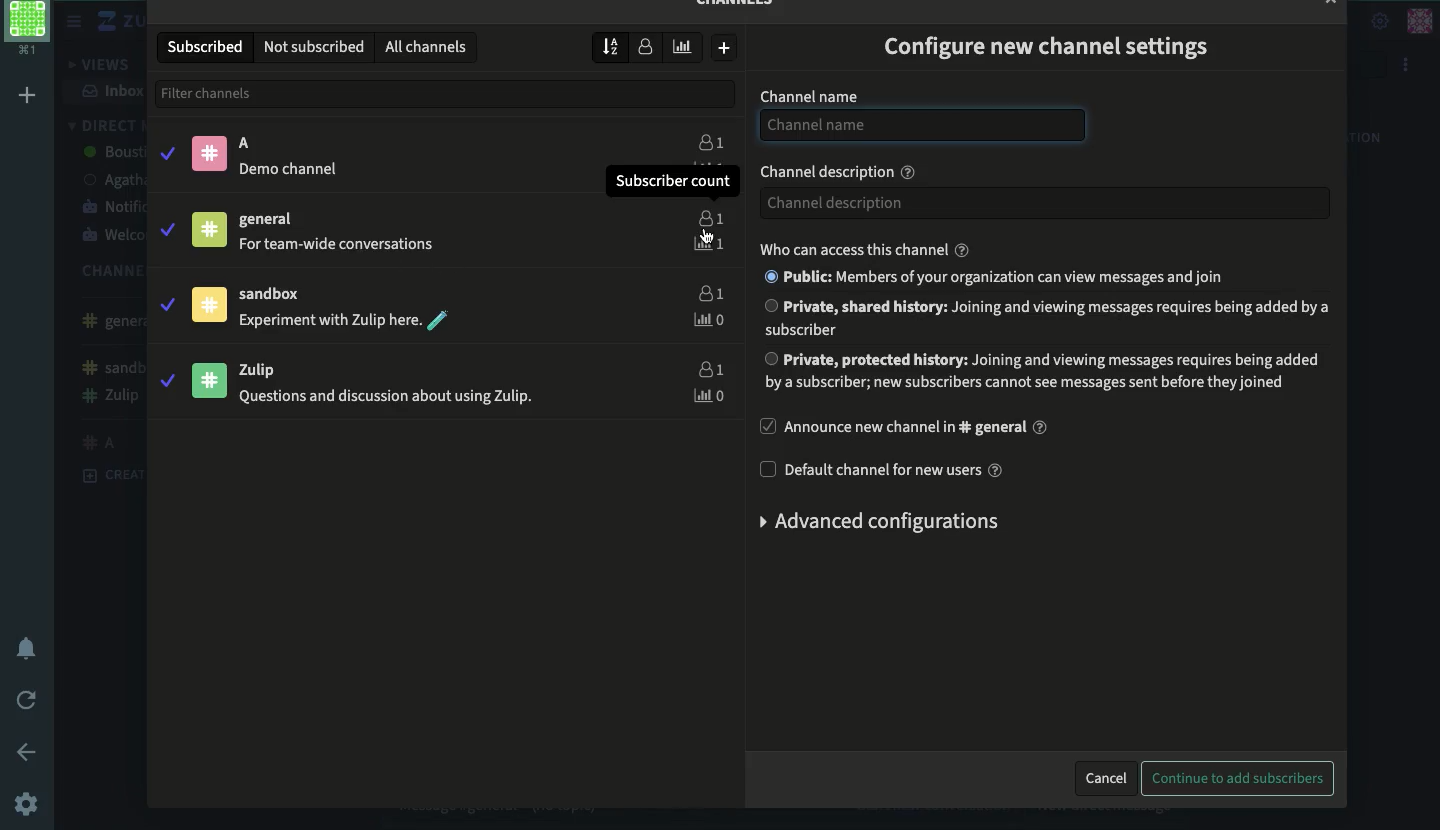  What do you see at coordinates (390, 397) in the screenshot?
I see `Questions and discussion about using Zulip.` at bounding box center [390, 397].